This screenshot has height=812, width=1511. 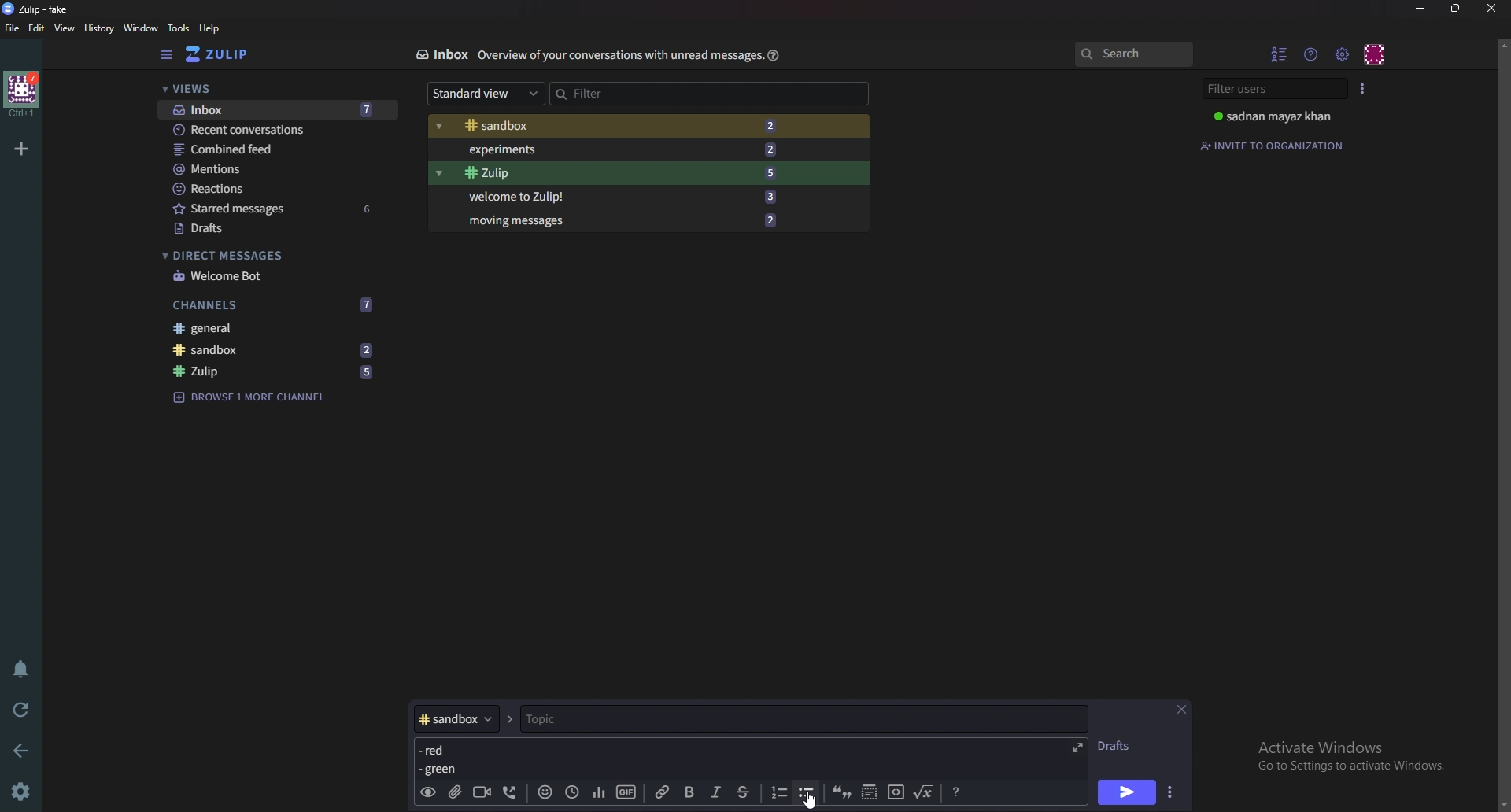 What do you see at coordinates (617, 93) in the screenshot?
I see `Filter` at bounding box center [617, 93].